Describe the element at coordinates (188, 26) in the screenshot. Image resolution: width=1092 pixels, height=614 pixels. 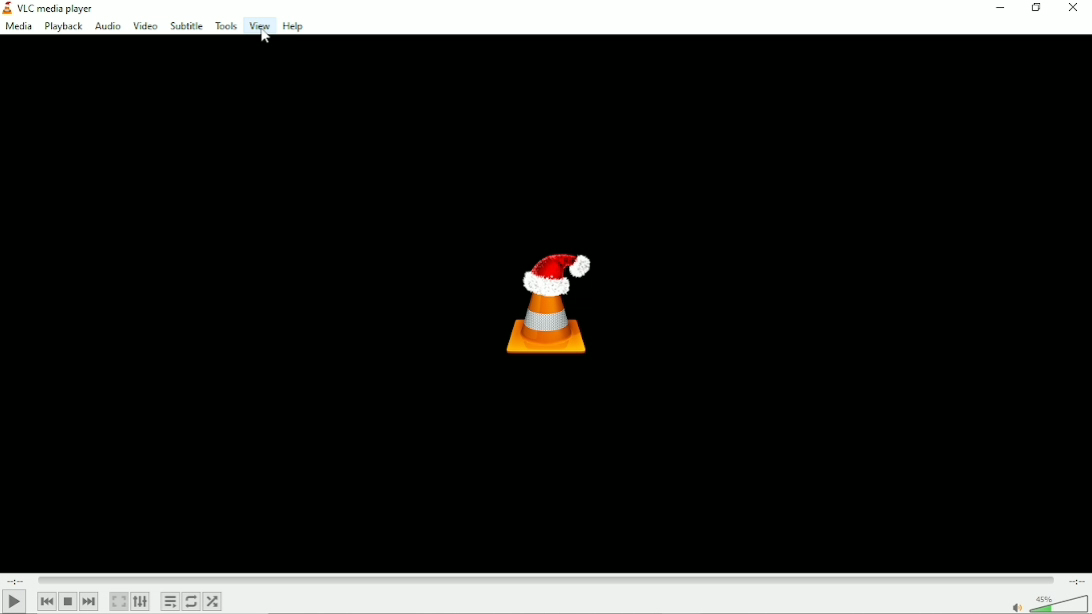
I see `Subtitle` at that location.